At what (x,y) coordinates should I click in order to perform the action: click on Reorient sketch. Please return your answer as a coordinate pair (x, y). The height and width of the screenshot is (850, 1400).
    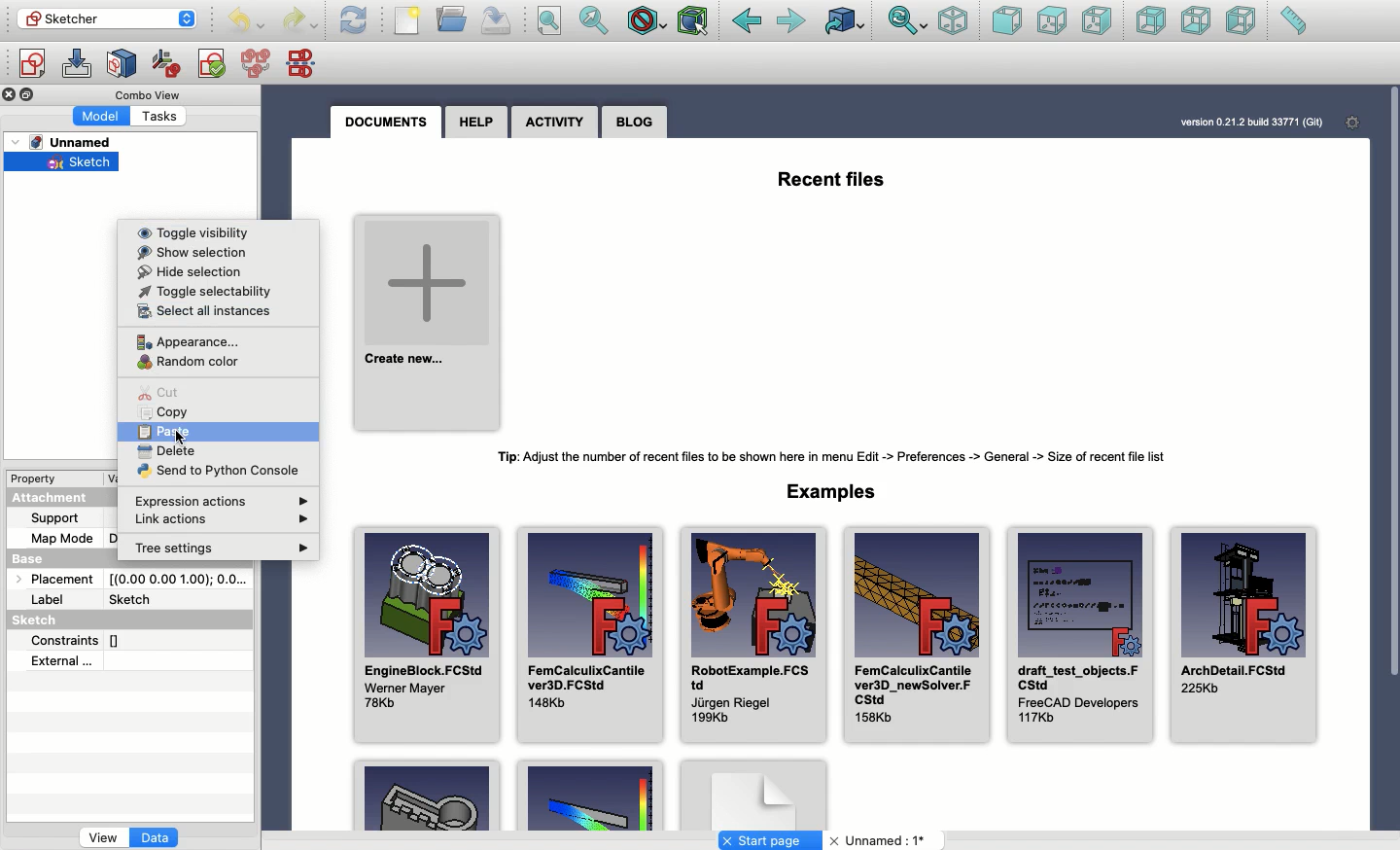
    Looking at the image, I should click on (167, 64).